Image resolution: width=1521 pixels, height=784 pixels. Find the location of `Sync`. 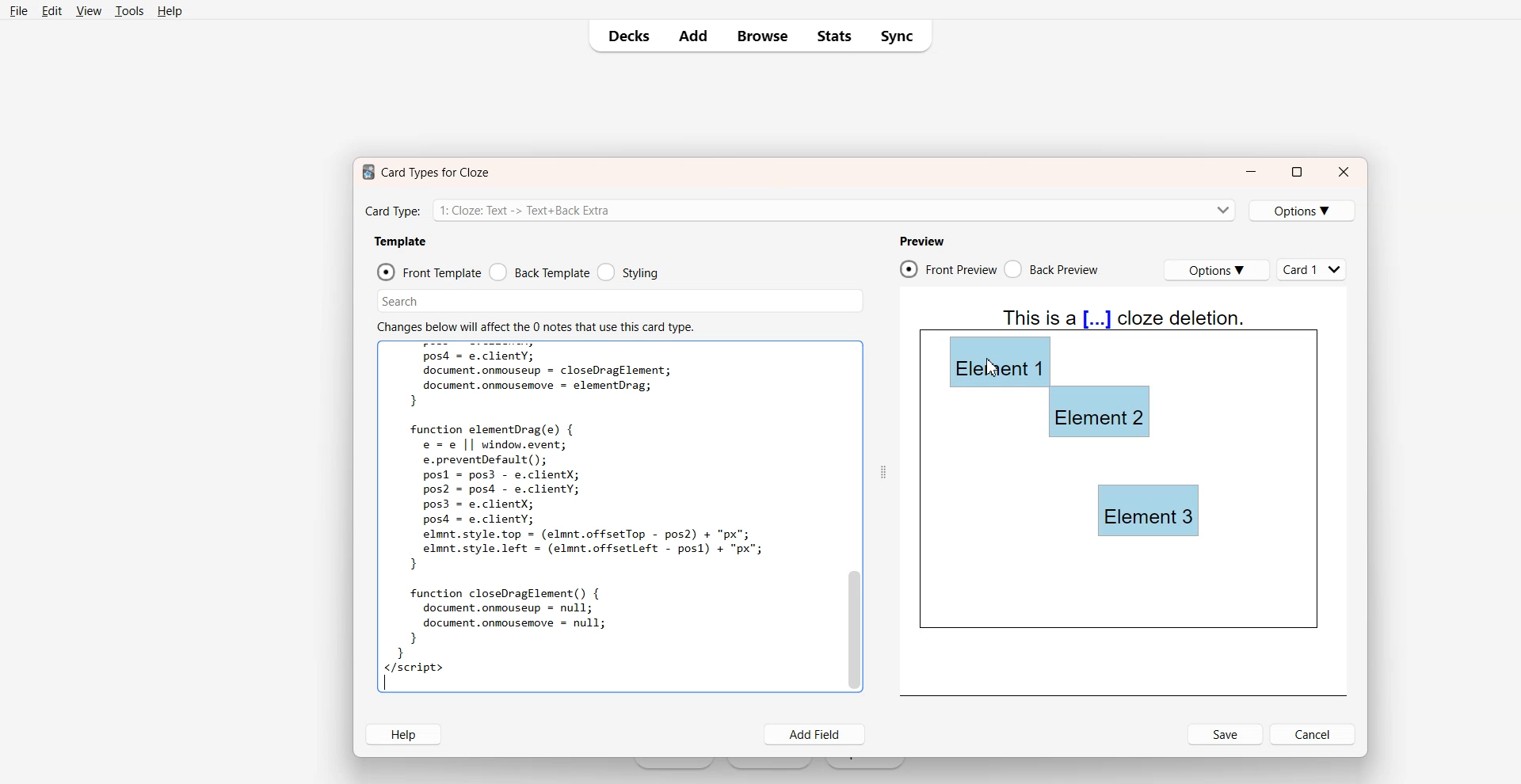

Sync is located at coordinates (900, 36).